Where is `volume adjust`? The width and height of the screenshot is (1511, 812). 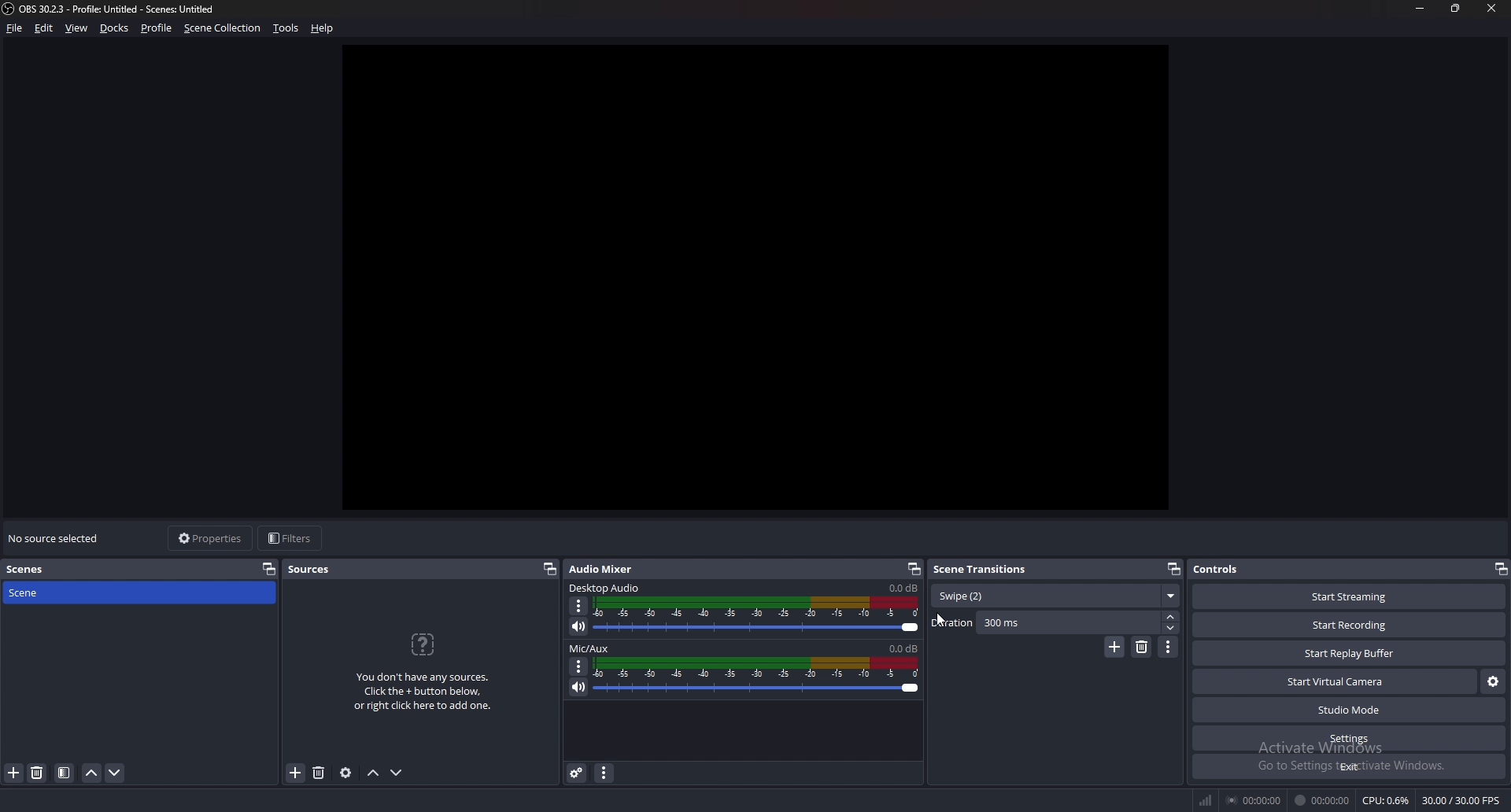
volume adjust is located at coordinates (759, 677).